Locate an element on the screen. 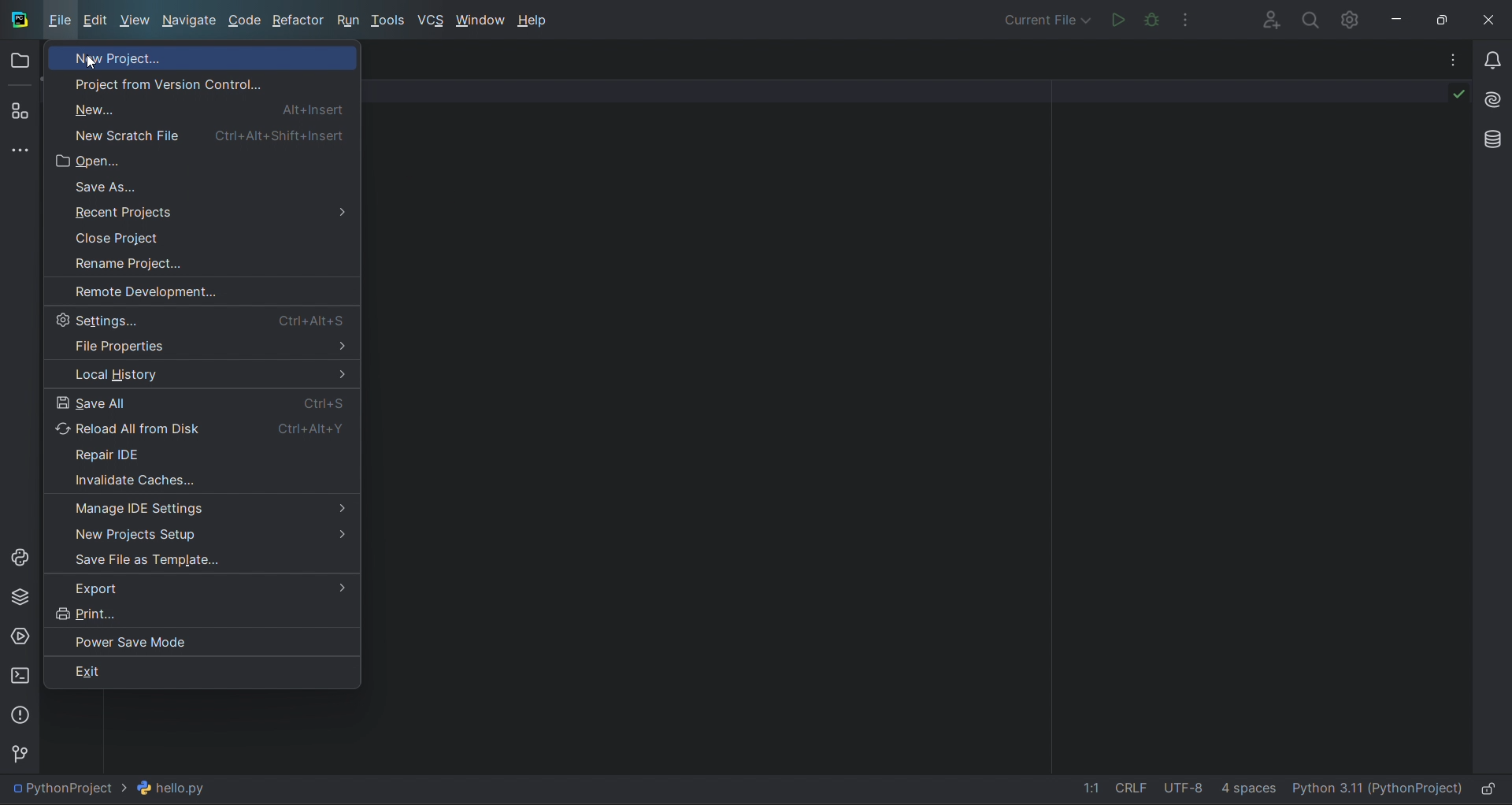 The height and width of the screenshot is (805, 1512). history is located at coordinates (208, 375).